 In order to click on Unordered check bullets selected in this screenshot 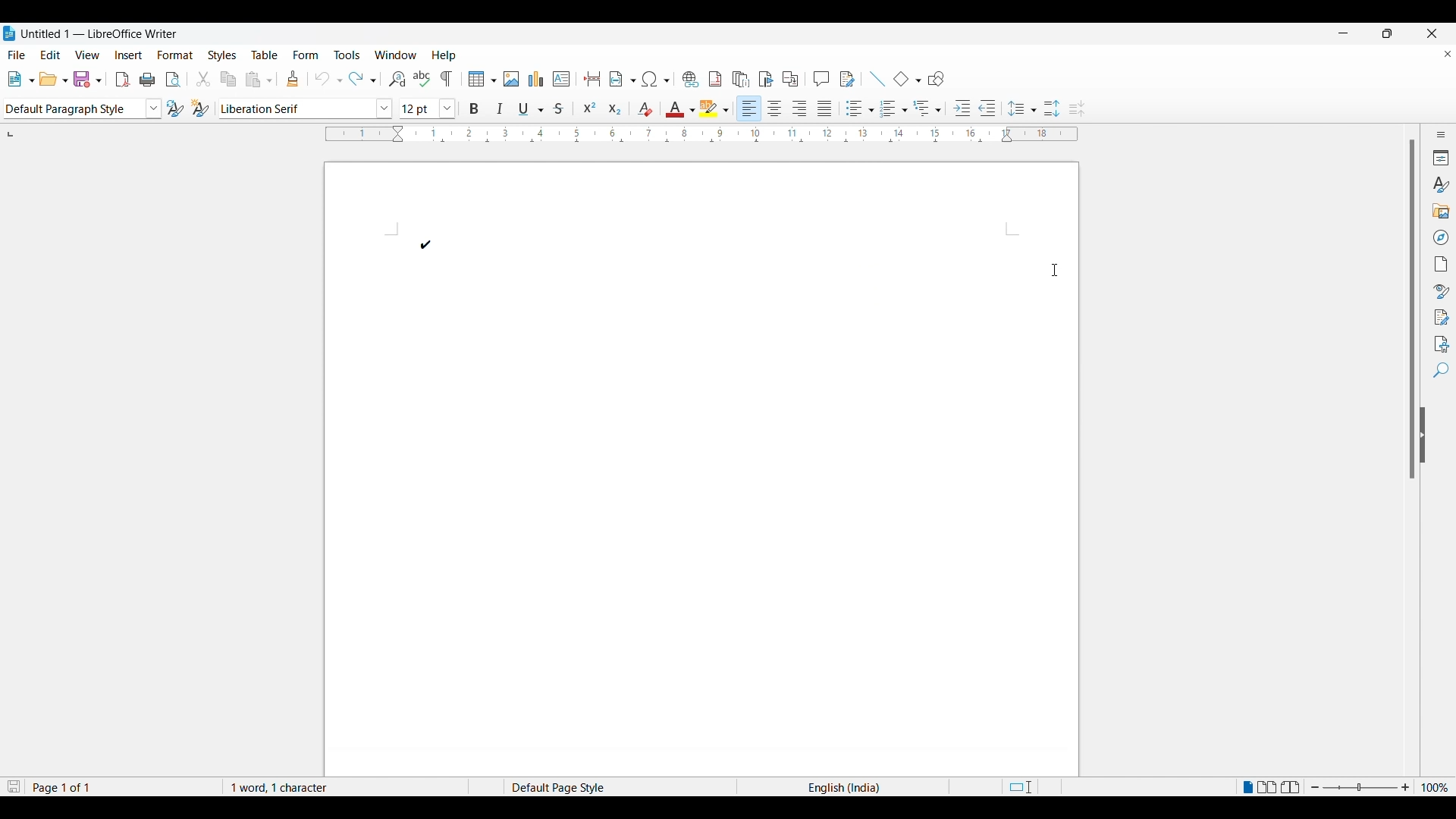, I will do `click(432, 244)`.